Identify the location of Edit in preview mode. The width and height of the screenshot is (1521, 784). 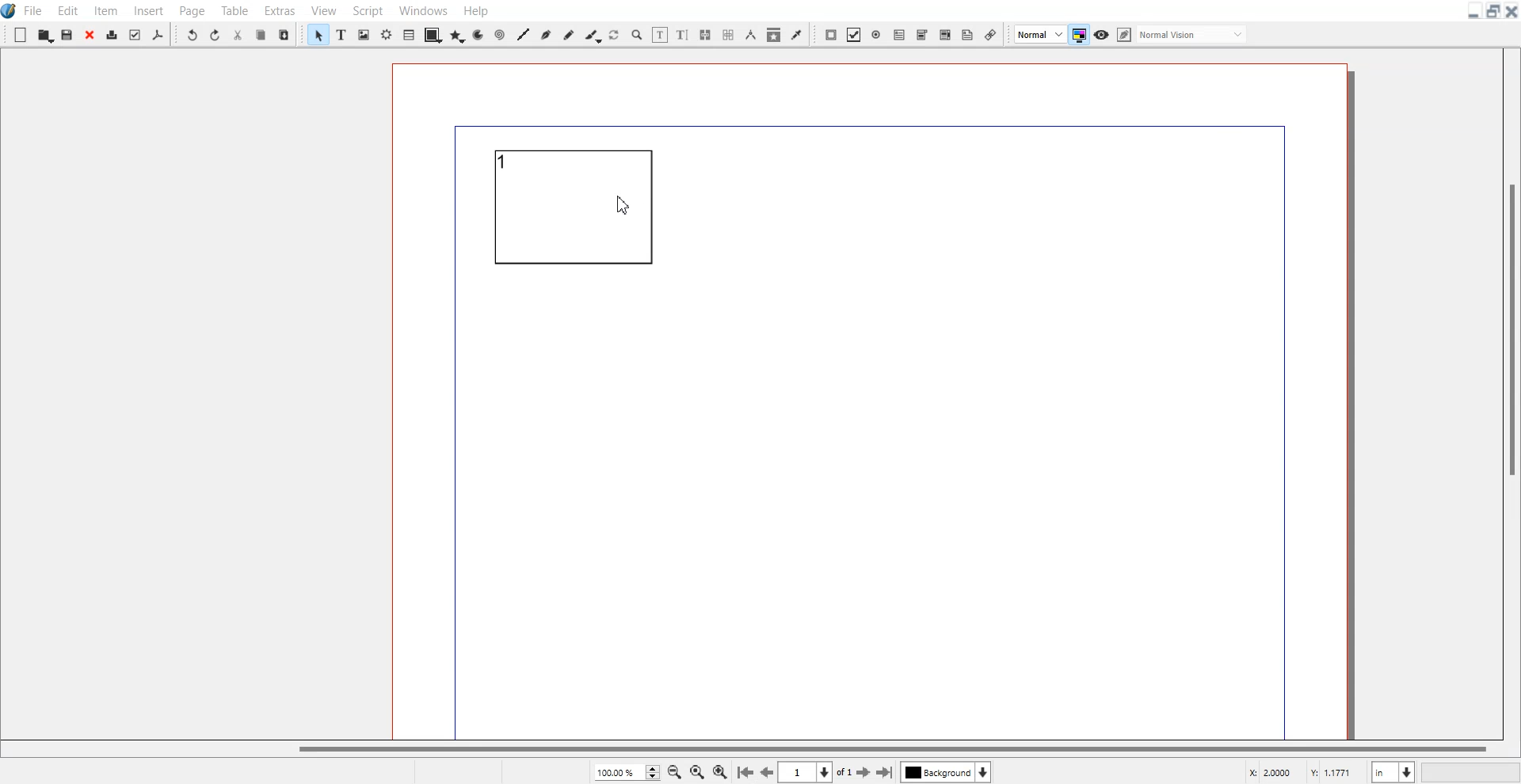
(1183, 33).